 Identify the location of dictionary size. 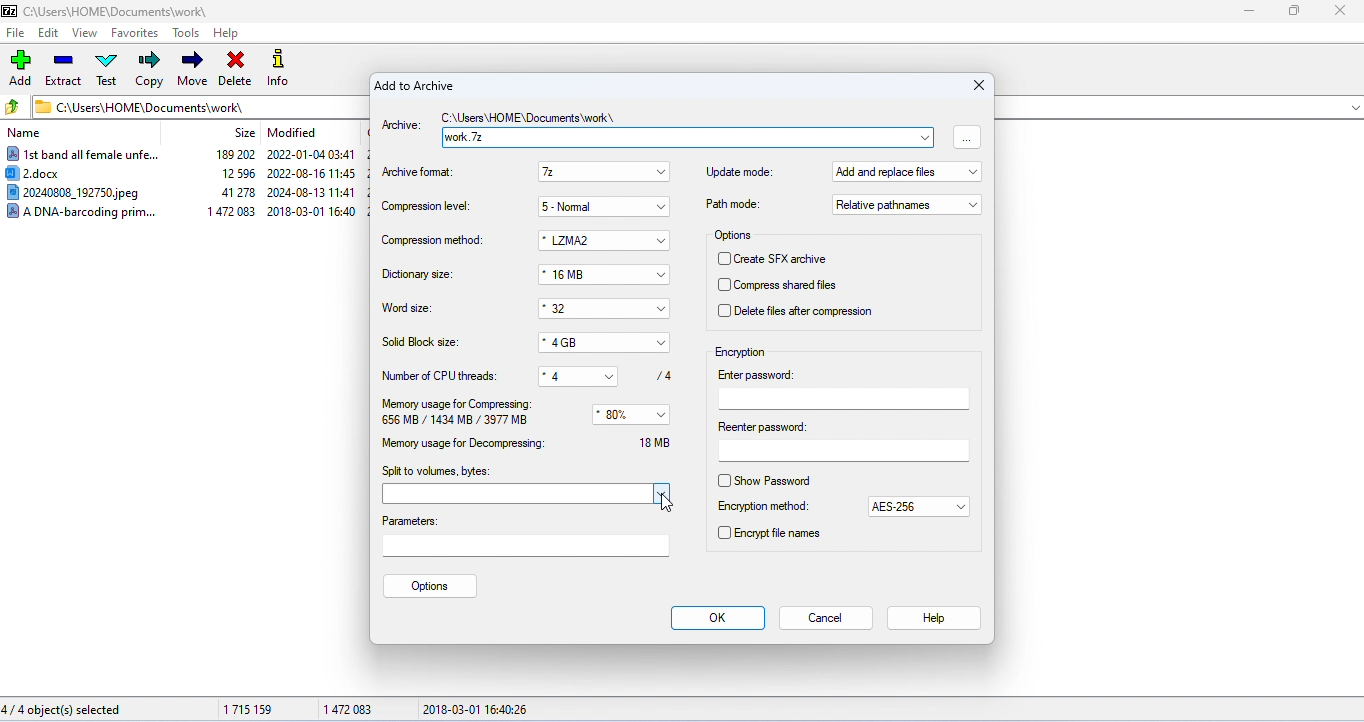
(419, 275).